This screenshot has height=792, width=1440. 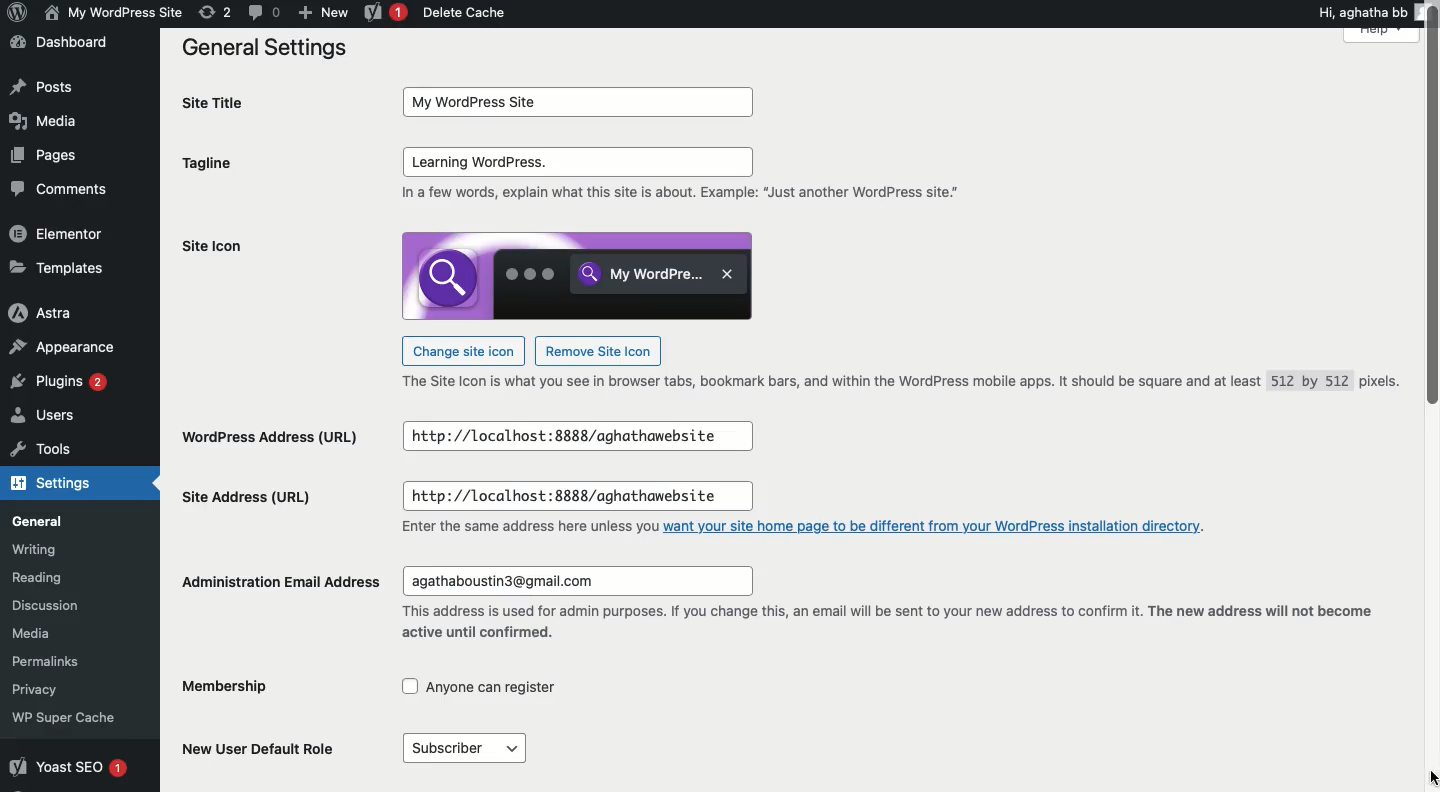 What do you see at coordinates (61, 47) in the screenshot?
I see `Dashboard` at bounding box center [61, 47].